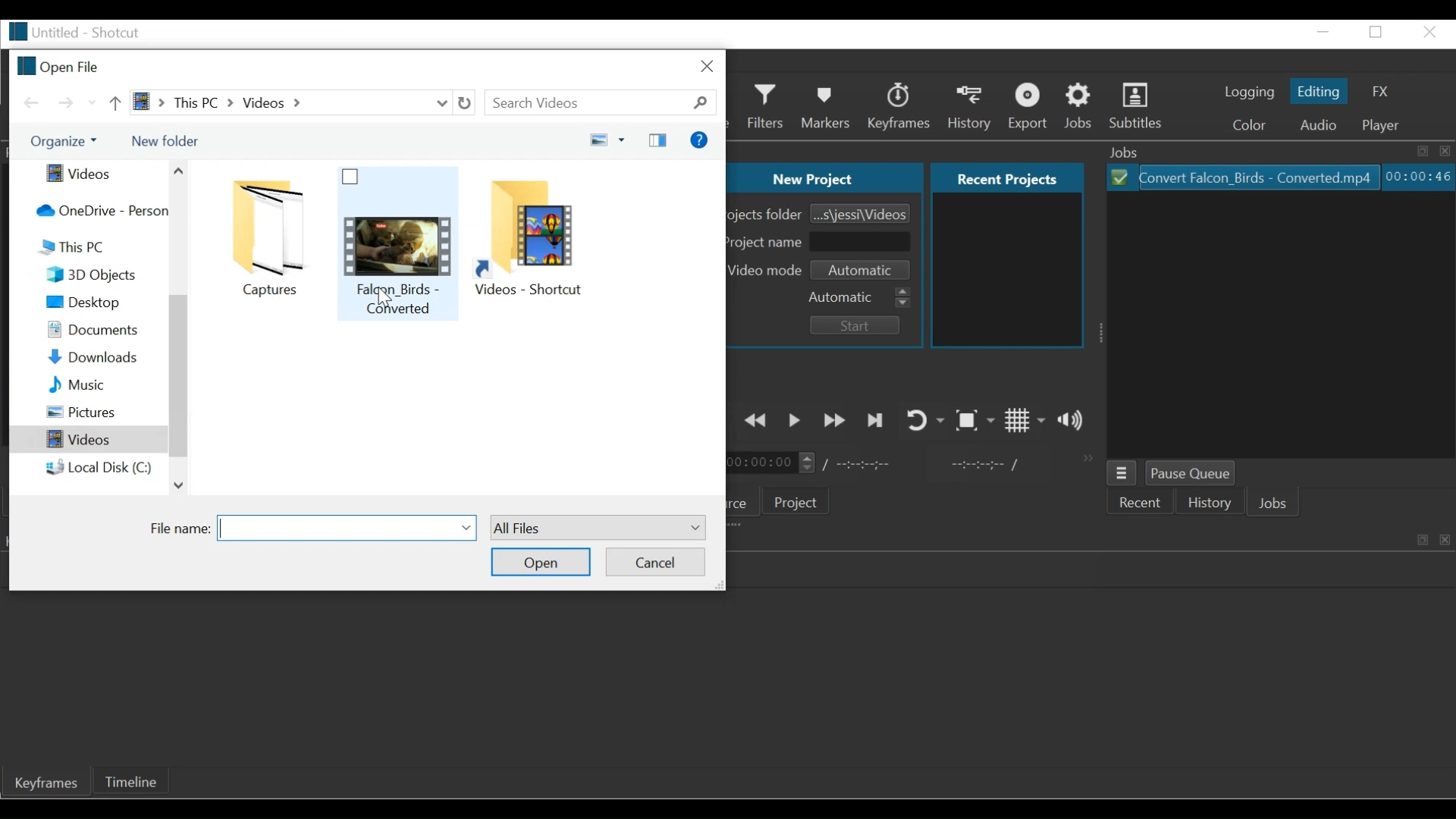 The width and height of the screenshot is (1456, 819). I want to click on Total Duration, so click(861, 466).